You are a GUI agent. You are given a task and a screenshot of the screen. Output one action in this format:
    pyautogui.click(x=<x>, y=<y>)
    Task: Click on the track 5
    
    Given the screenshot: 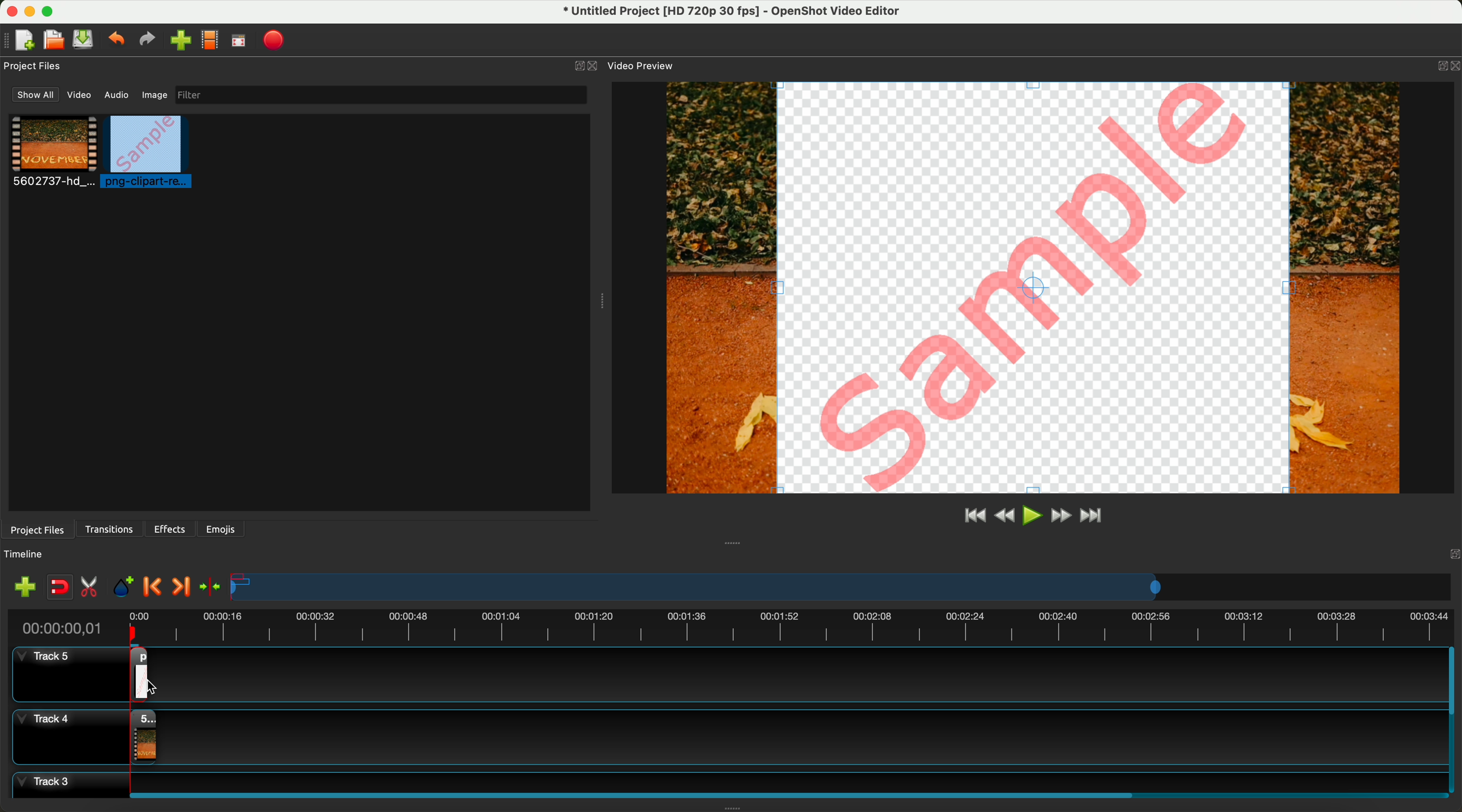 What is the action you would take?
    pyautogui.click(x=60, y=675)
    